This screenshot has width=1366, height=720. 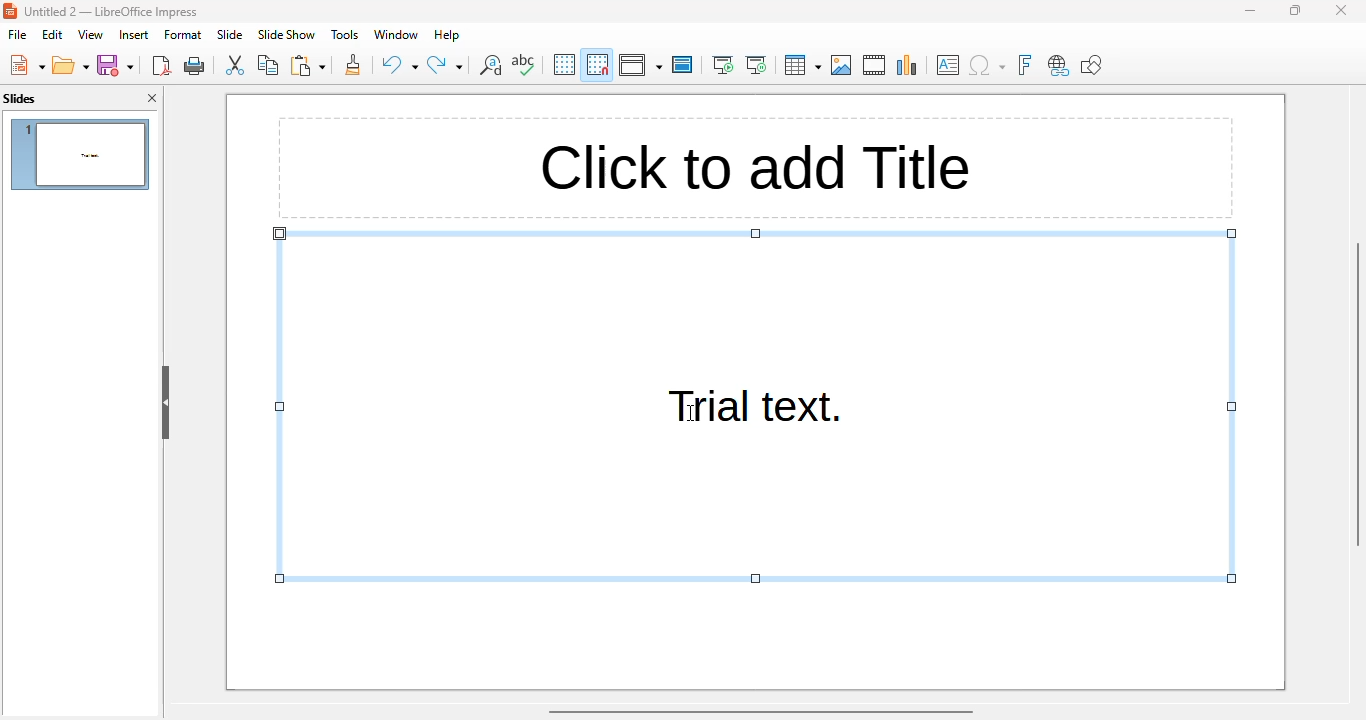 What do you see at coordinates (875, 64) in the screenshot?
I see `insert audio or video` at bounding box center [875, 64].